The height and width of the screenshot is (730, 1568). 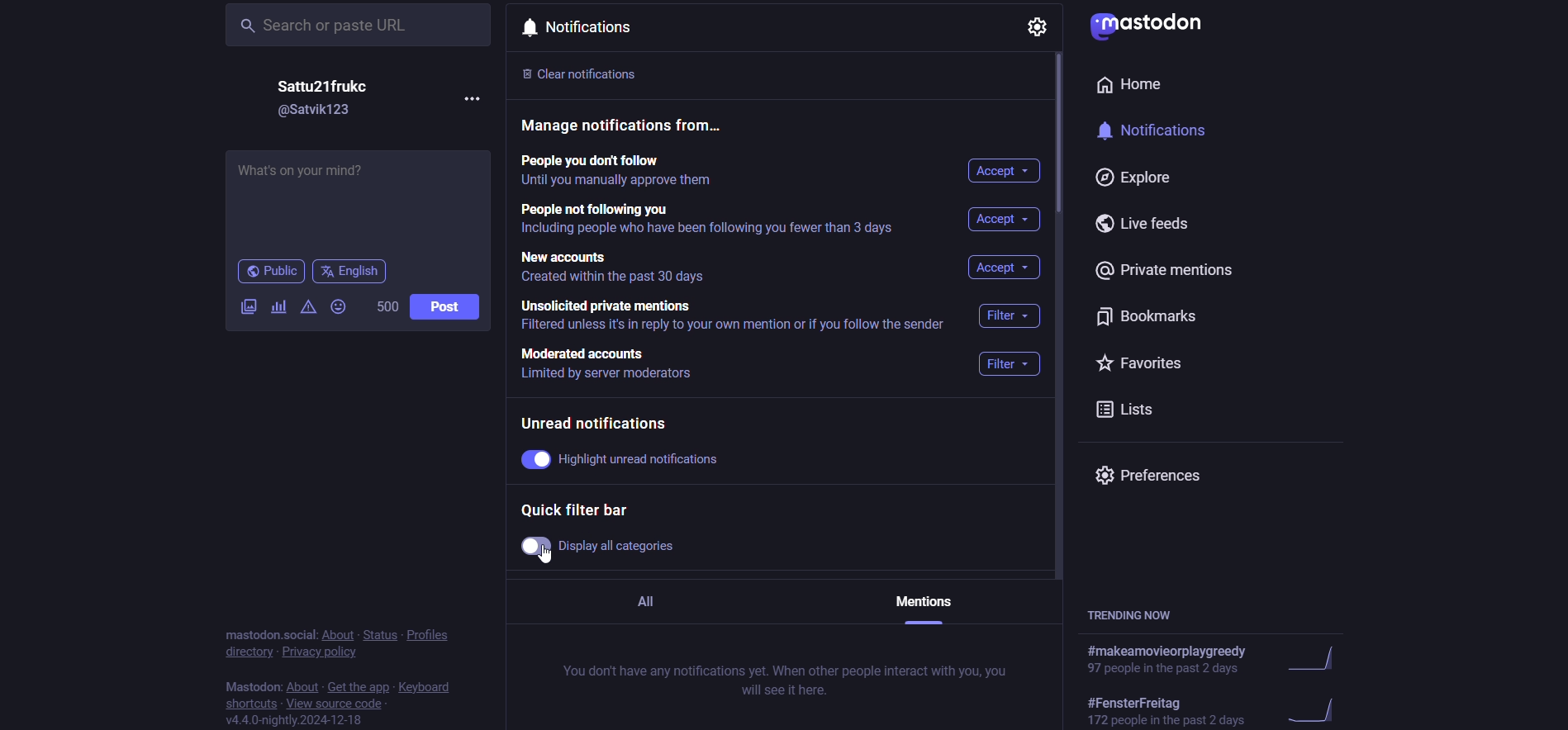 I want to click on Notifications, so click(x=574, y=29).